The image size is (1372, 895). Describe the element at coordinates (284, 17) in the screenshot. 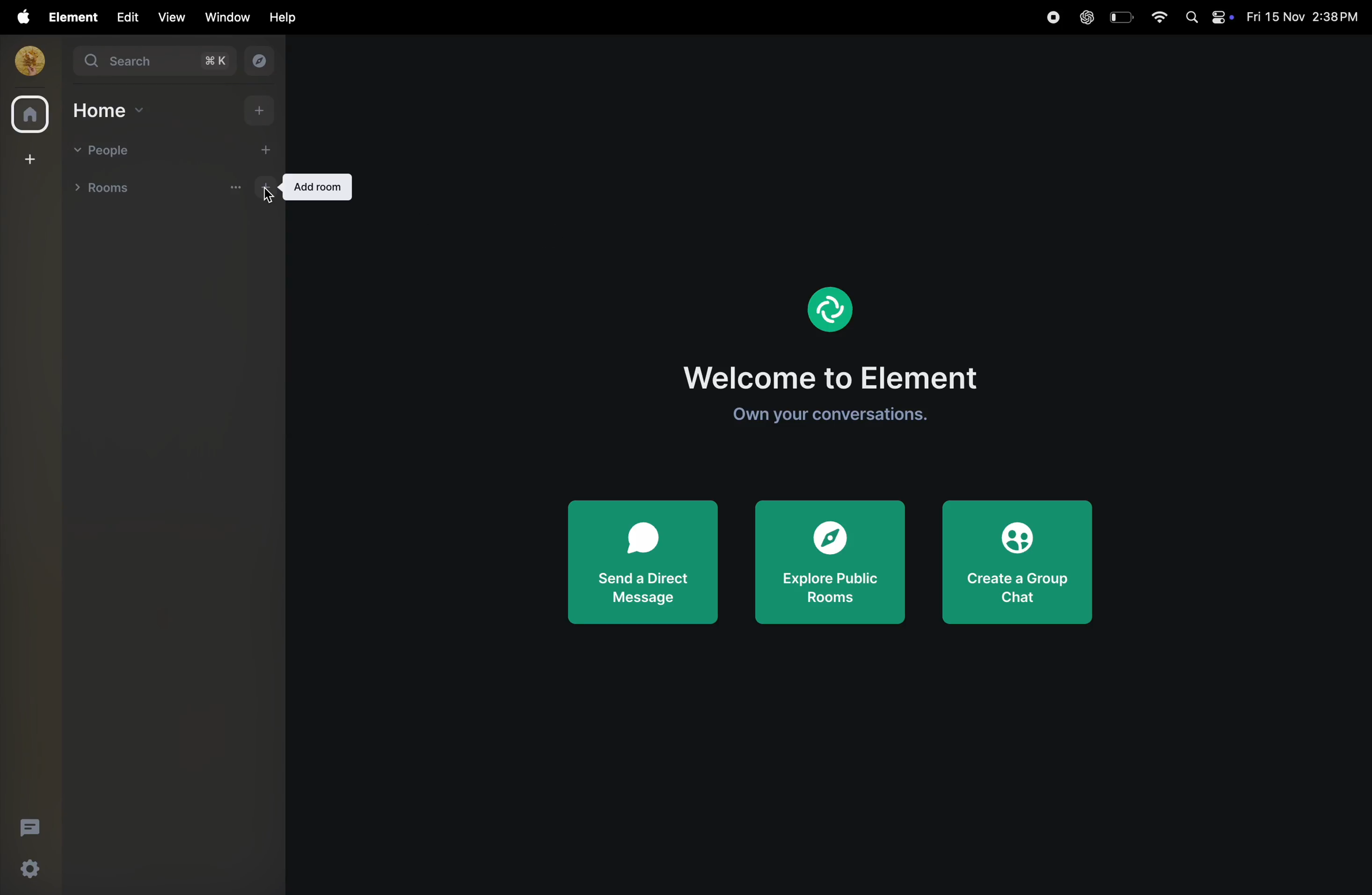

I see `help` at that location.